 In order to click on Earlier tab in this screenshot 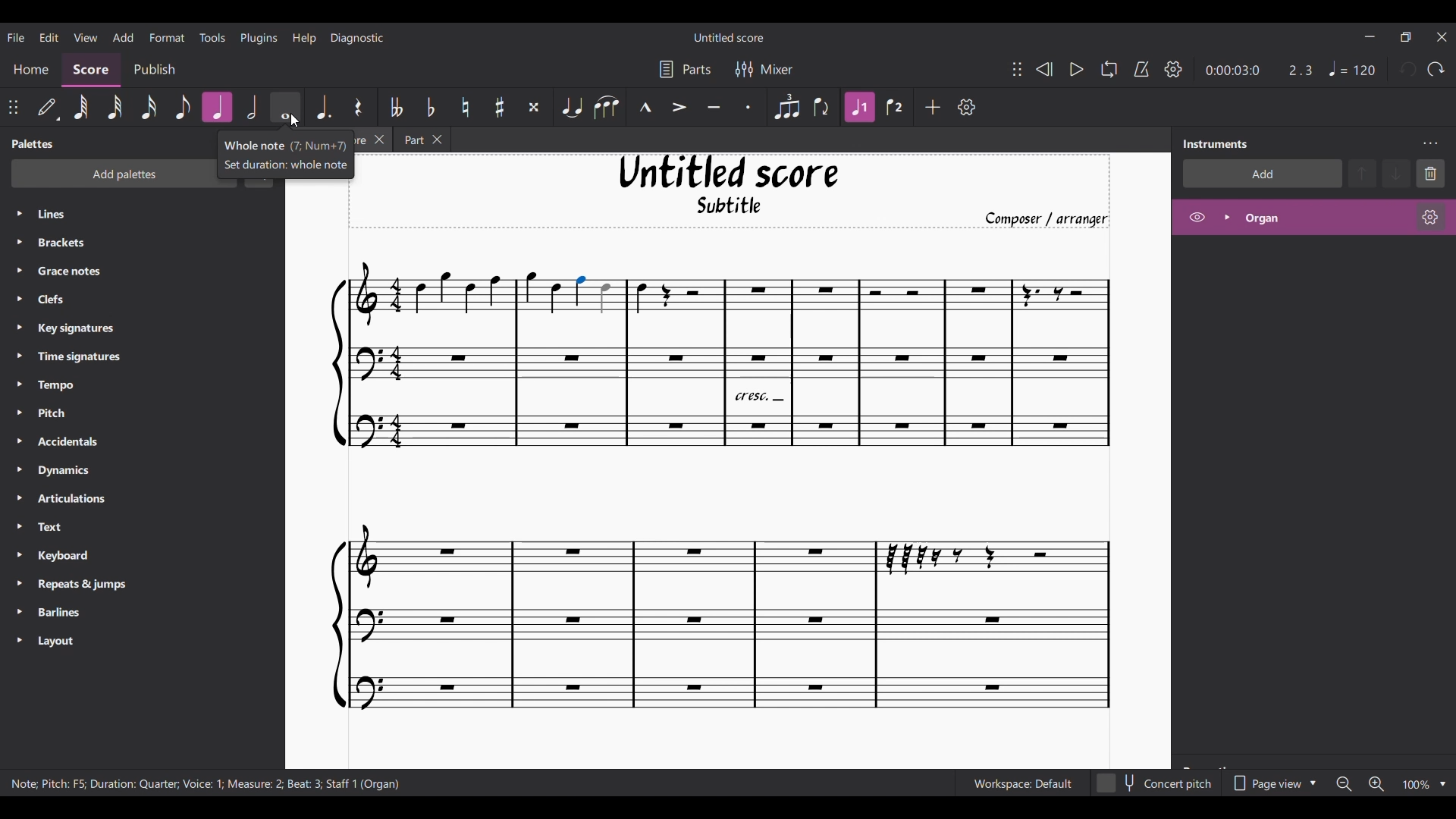, I will do `click(421, 139)`.